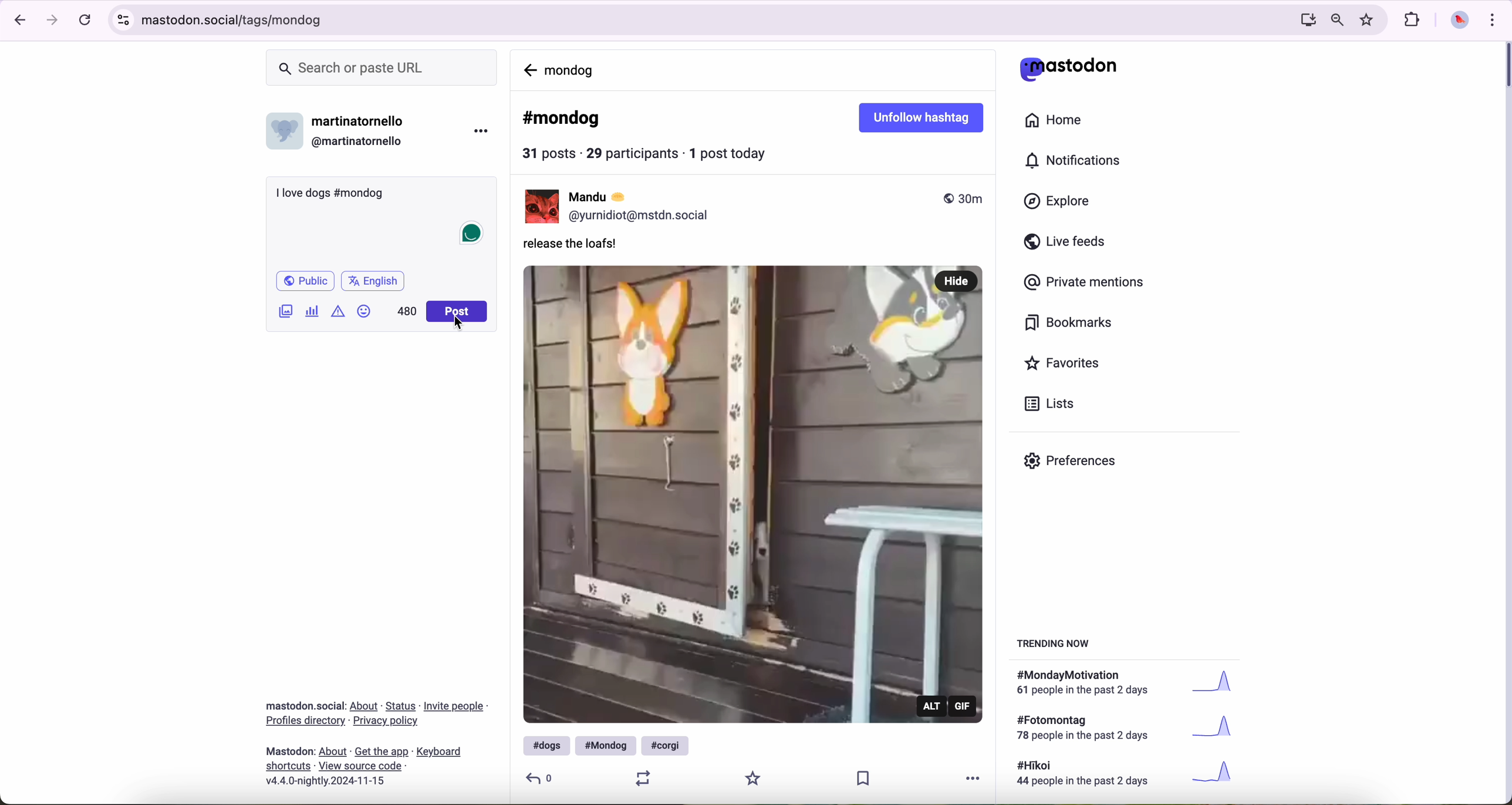 This screenshot has width=1512, height=805. I want to click on explore, so click(1059, 202).